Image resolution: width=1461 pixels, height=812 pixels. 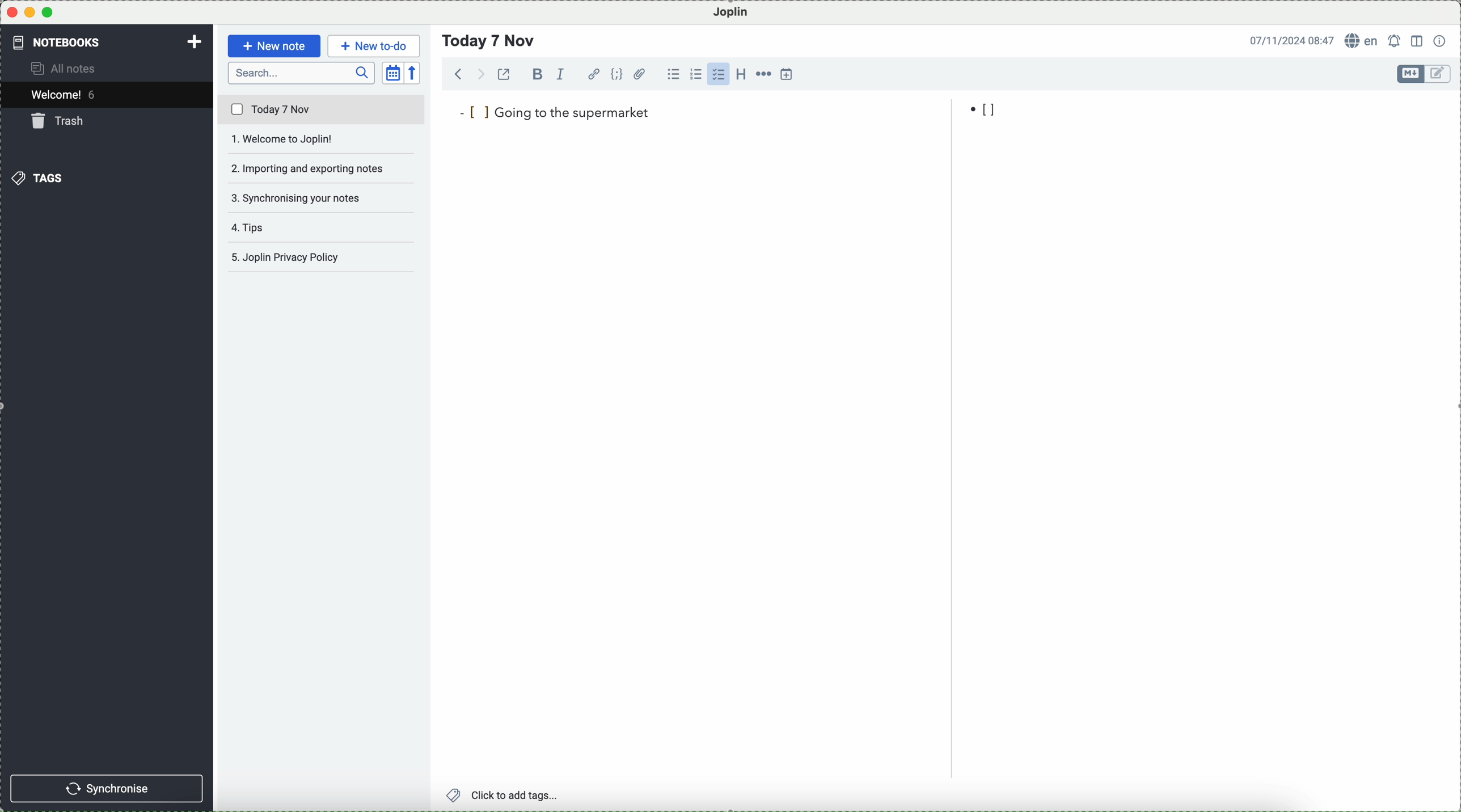 I want to click on welcome! 6, so click(x=67, y=94).